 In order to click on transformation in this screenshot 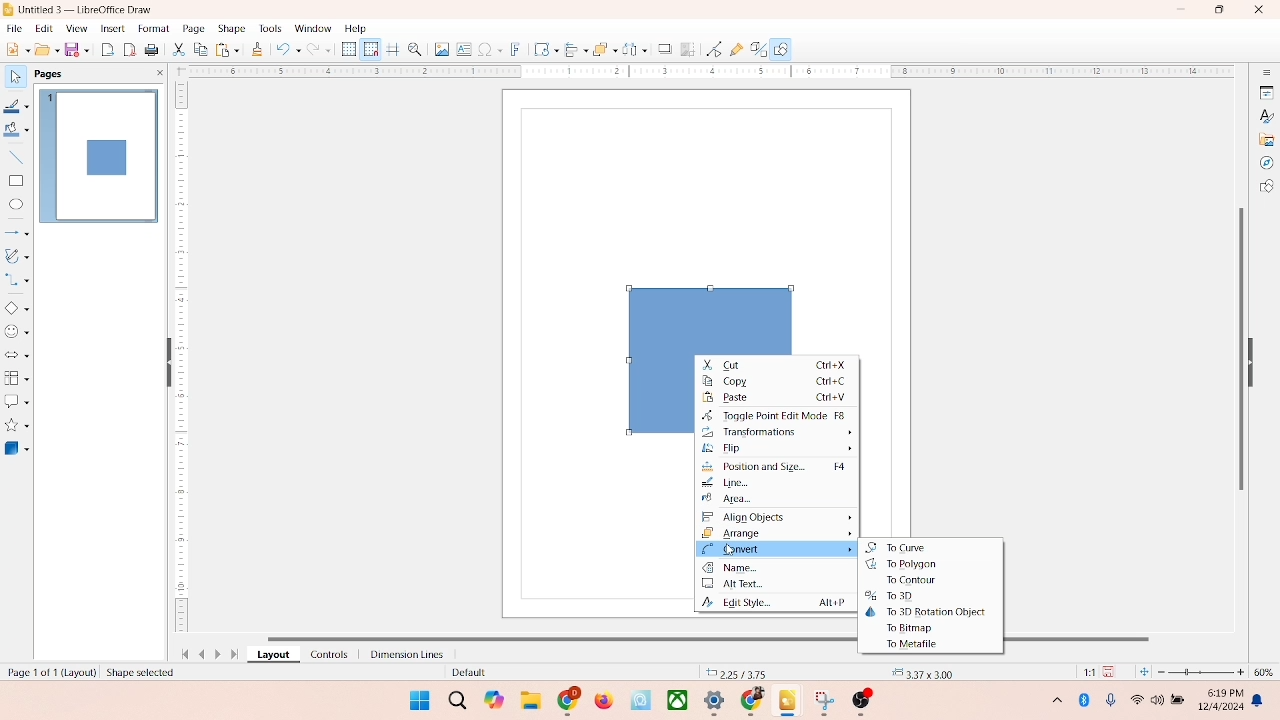, I will do `click(541, 49)`.